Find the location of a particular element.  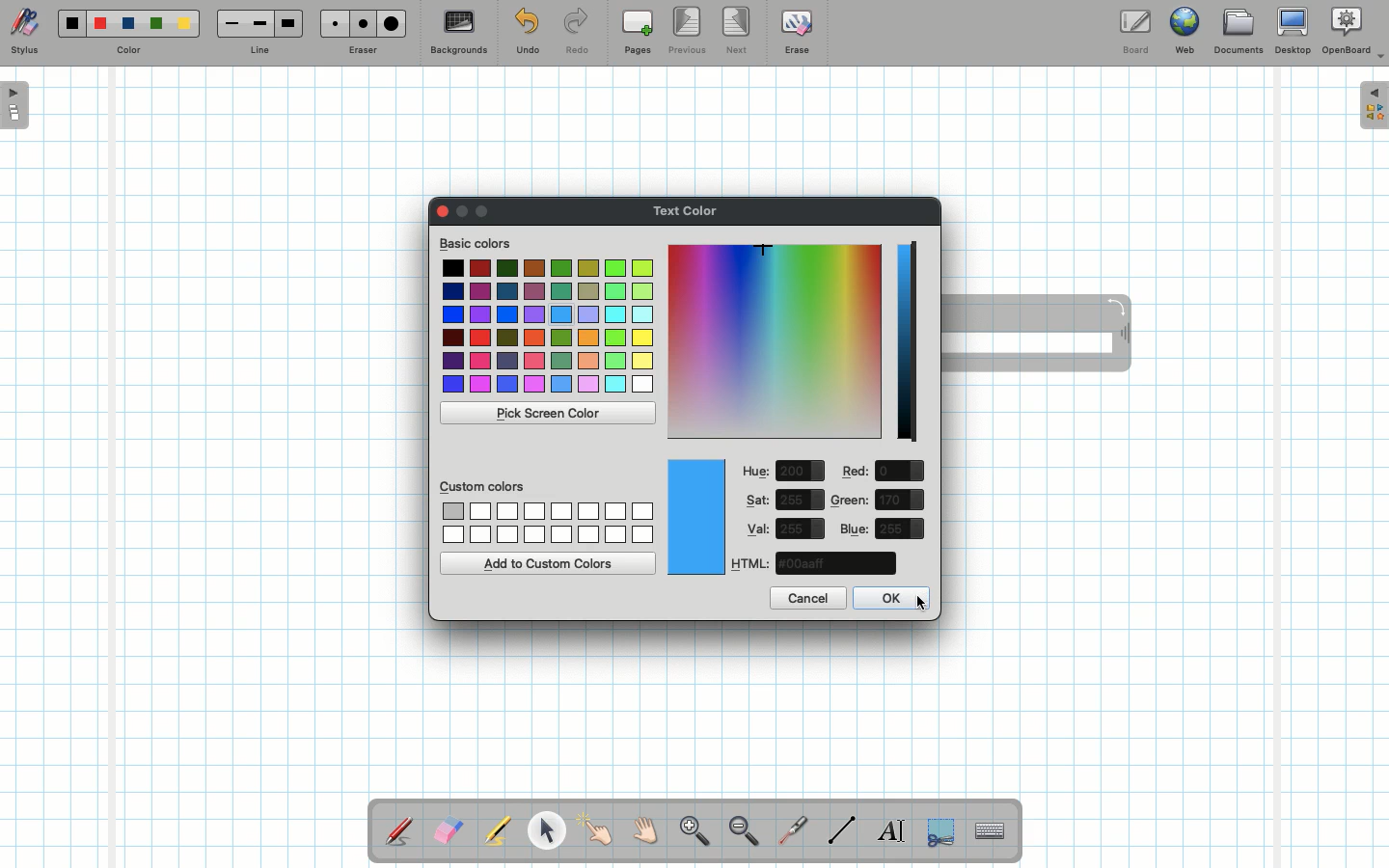

value is located at coordinates (901, 500).